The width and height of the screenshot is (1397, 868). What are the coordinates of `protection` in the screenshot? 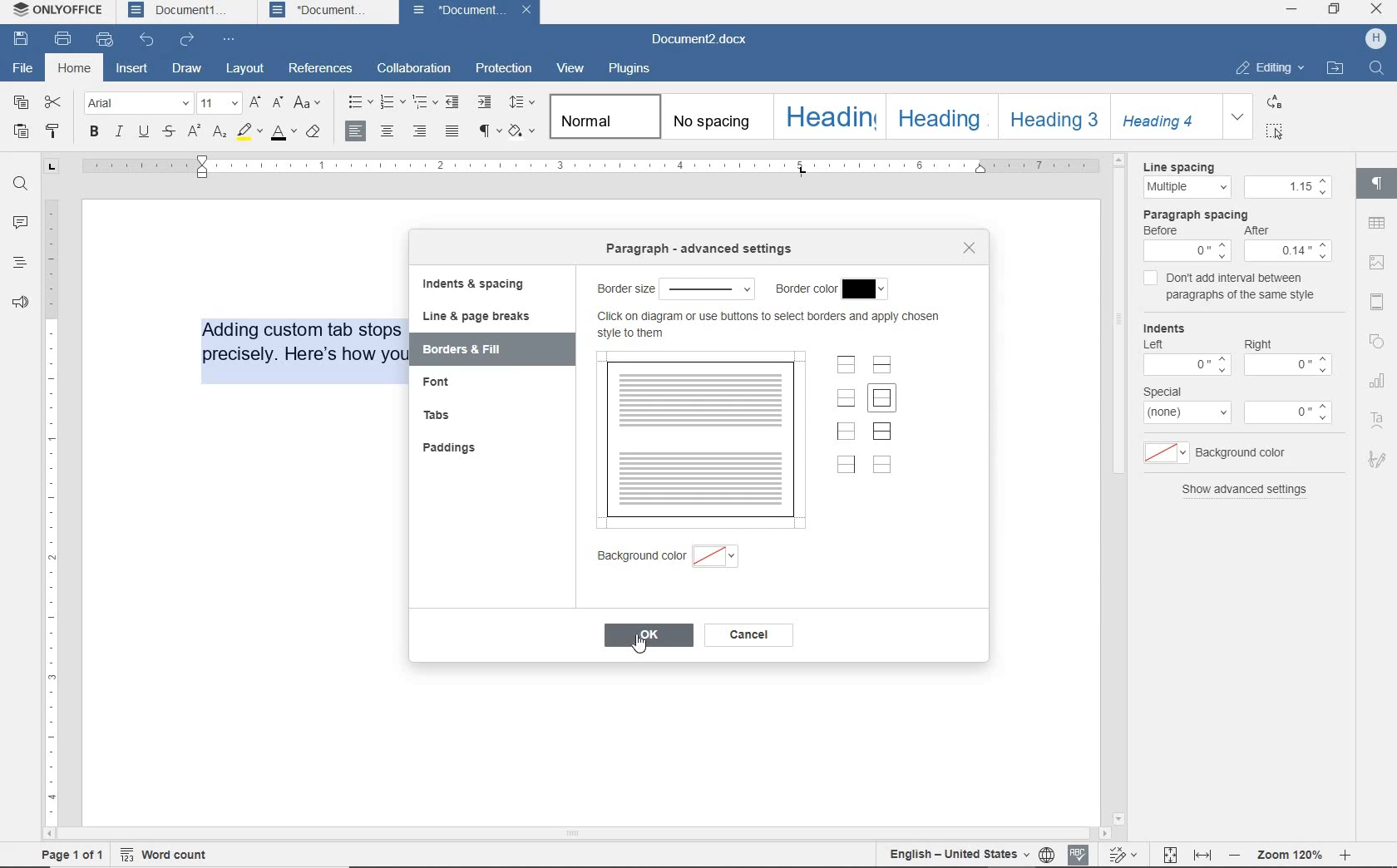 It's located at (502, 69).